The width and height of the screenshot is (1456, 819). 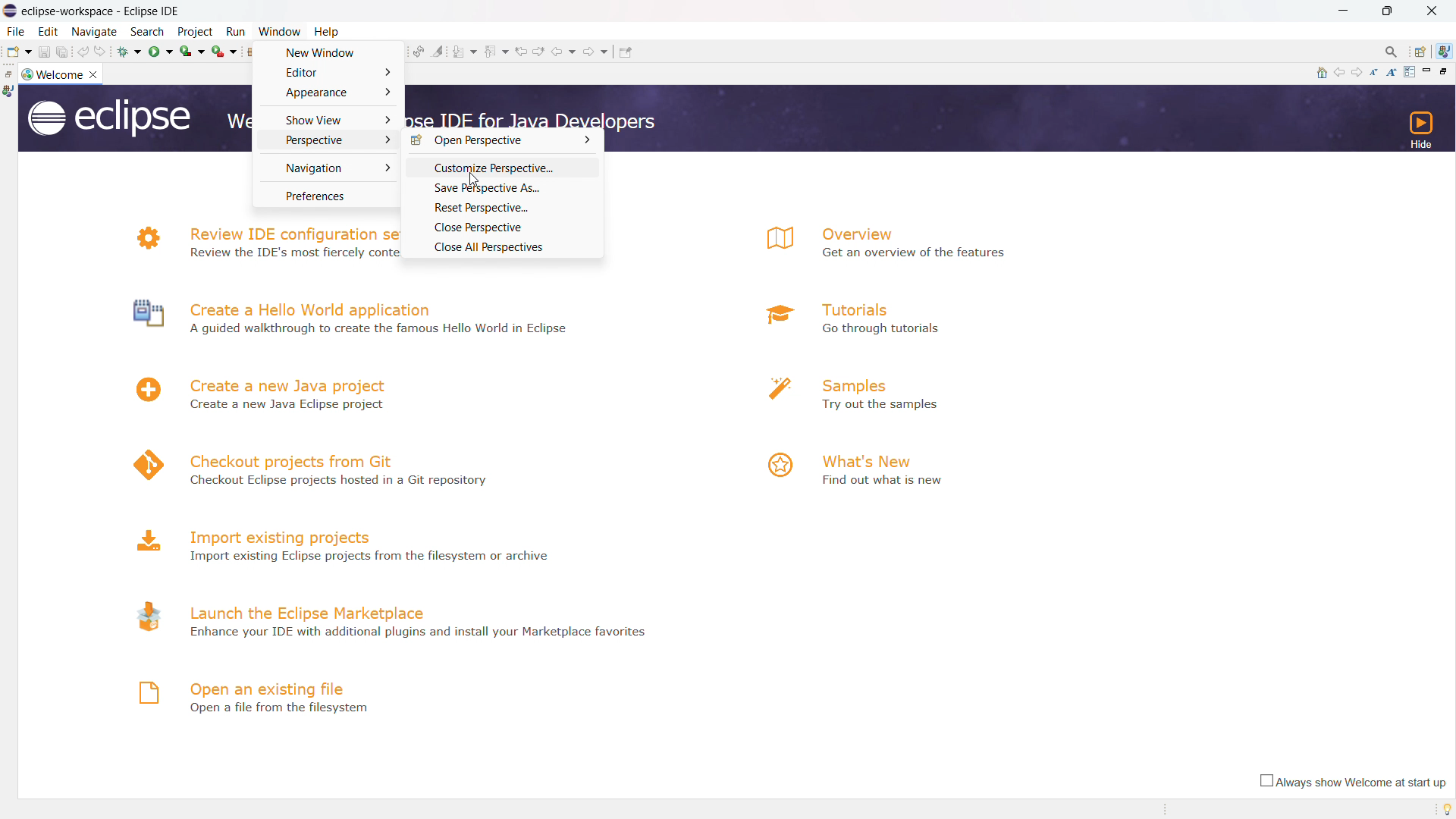 What do you see at coordinates (327, 52) in the screenshot?
I see `new window` at bounding box center [327, 52].